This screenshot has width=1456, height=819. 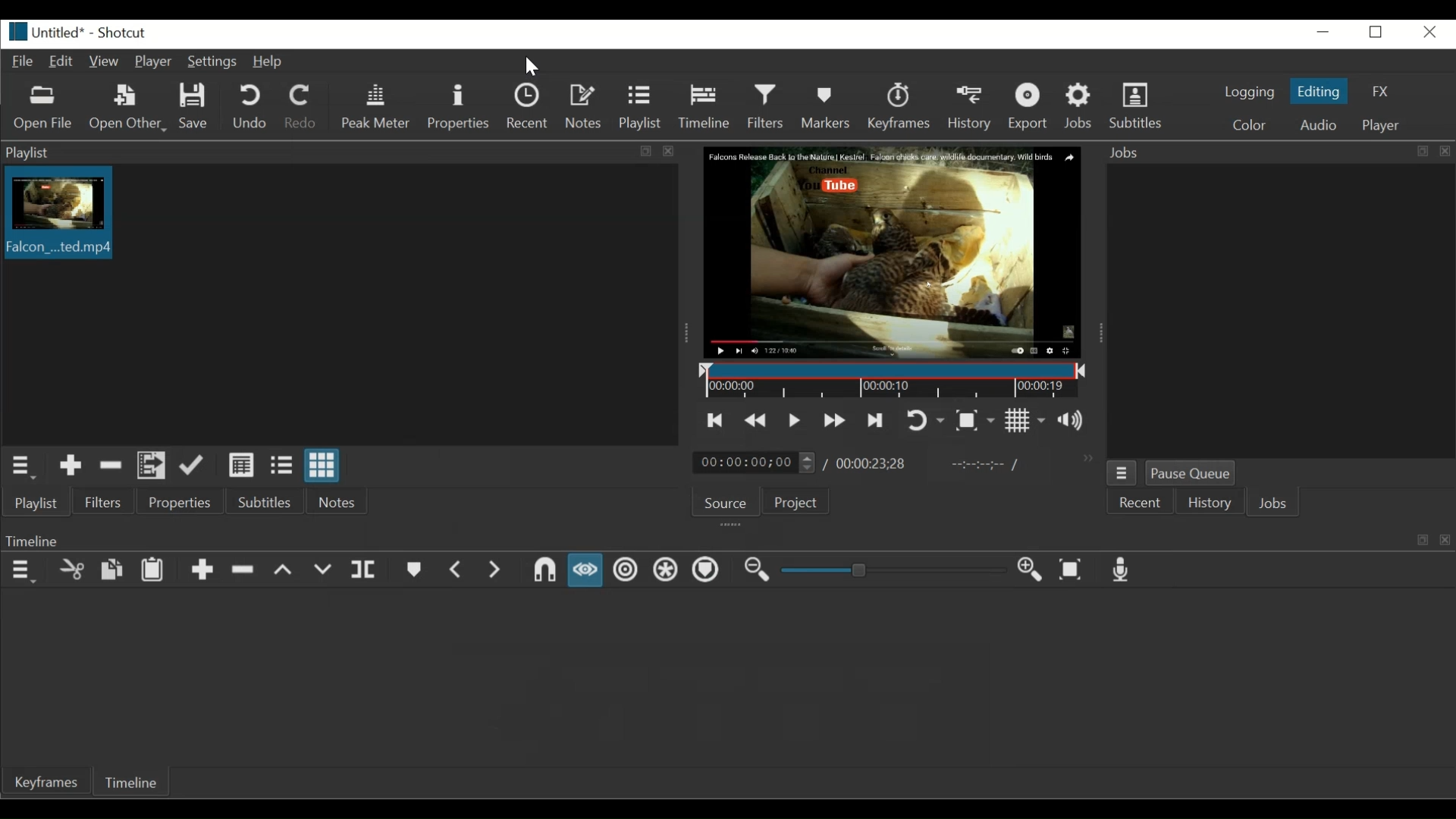 What do you see at coordinates (61, 63) in the screenshot?
I see `Edit` at bounding box center [61, 63].